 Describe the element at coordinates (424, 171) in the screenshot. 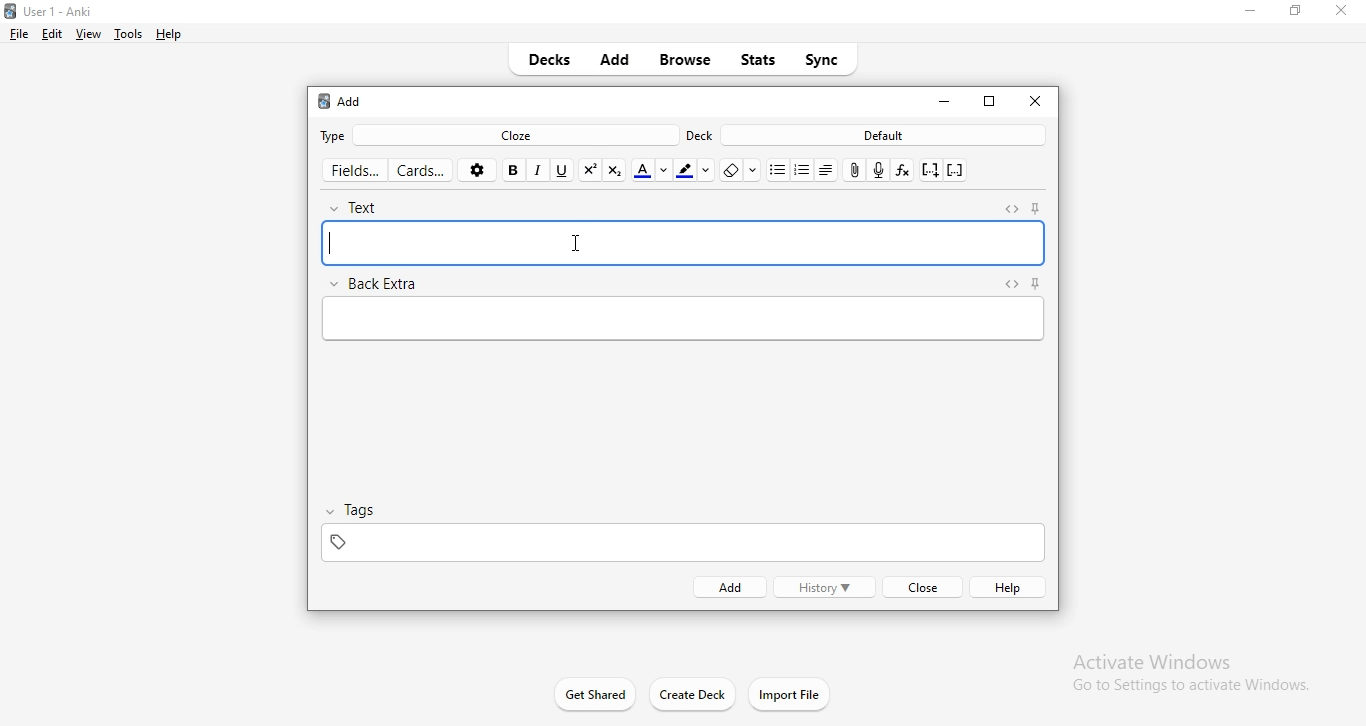

I see `cards` at that location.